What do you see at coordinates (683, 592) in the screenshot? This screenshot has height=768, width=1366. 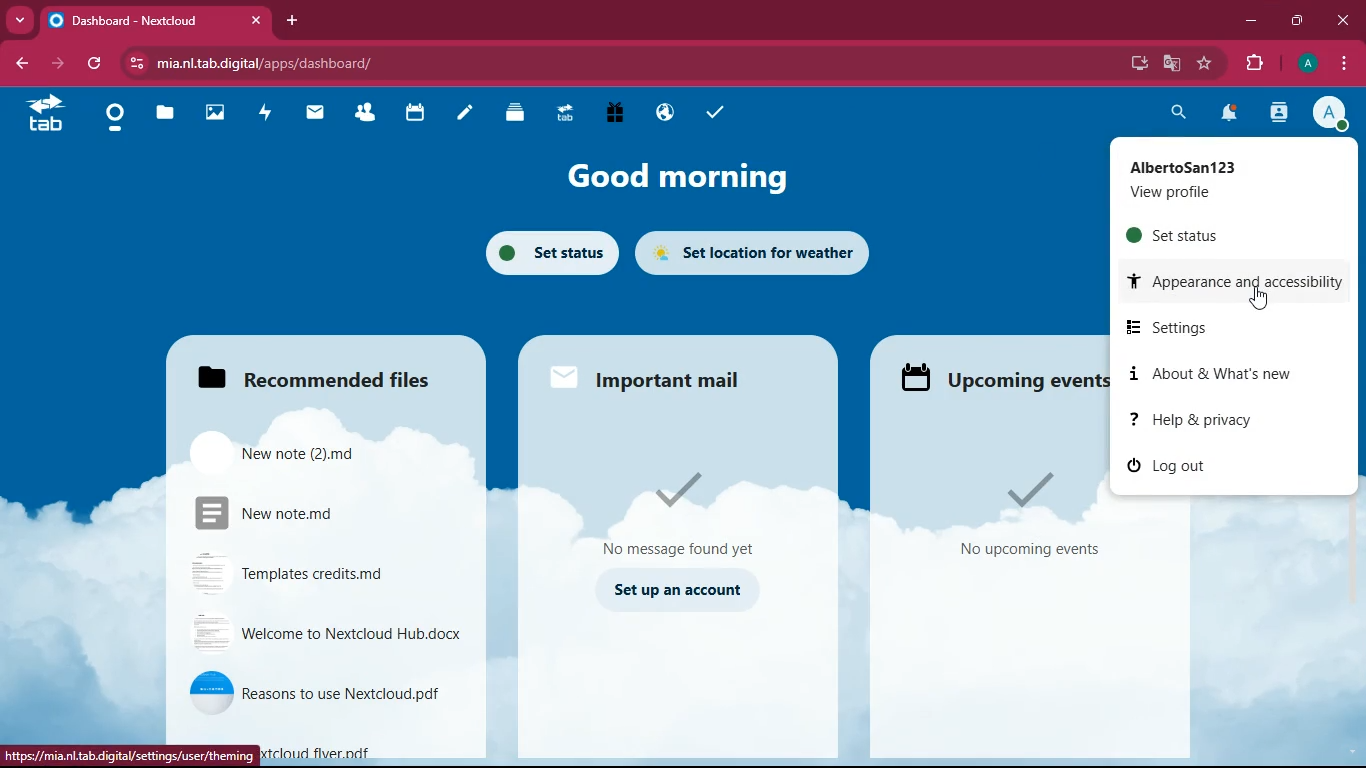 I see `set up` at bounding box center [683, 592].